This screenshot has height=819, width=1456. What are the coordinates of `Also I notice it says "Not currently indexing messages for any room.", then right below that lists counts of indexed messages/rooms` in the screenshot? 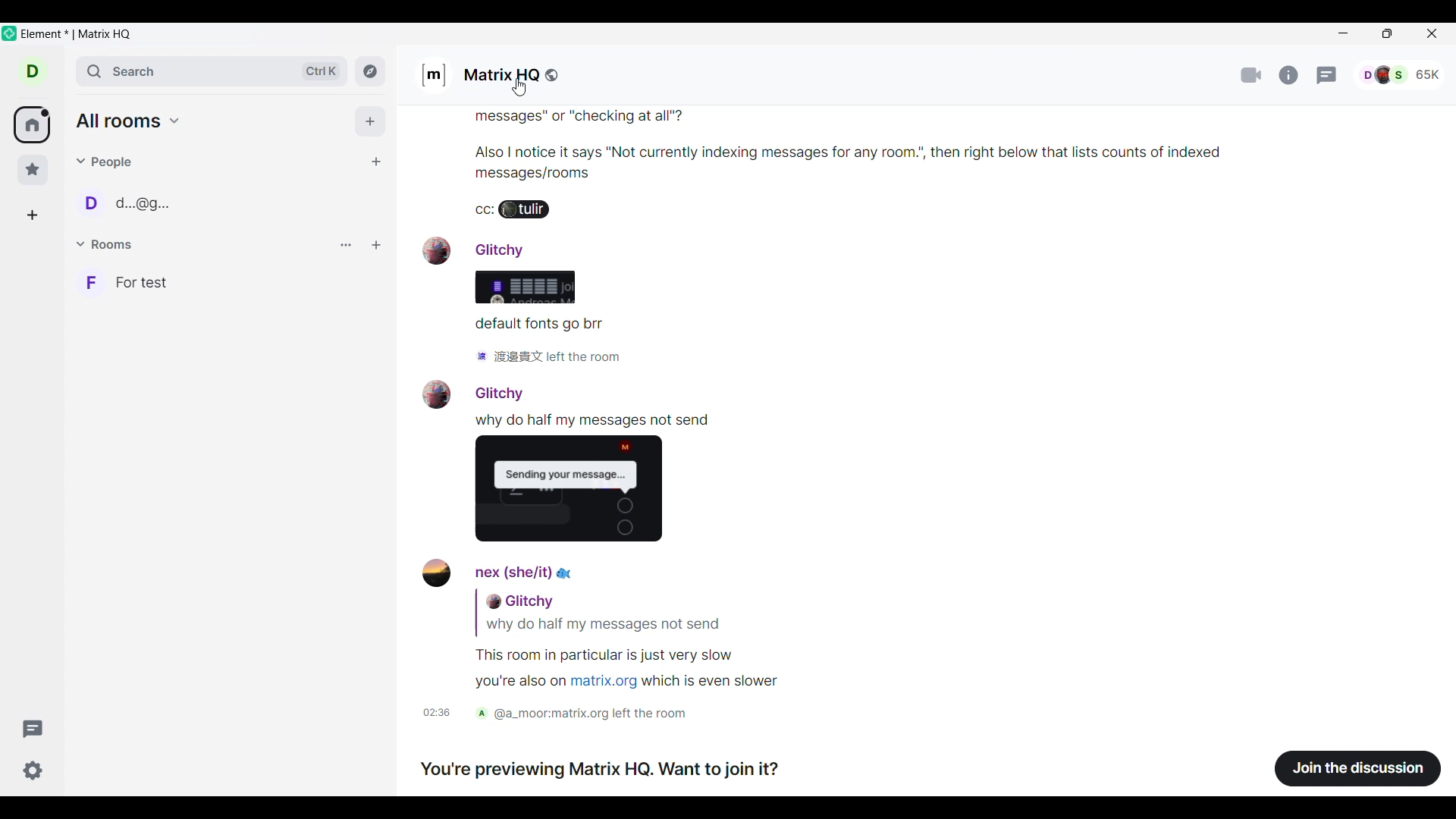 It's located at (693, 161).